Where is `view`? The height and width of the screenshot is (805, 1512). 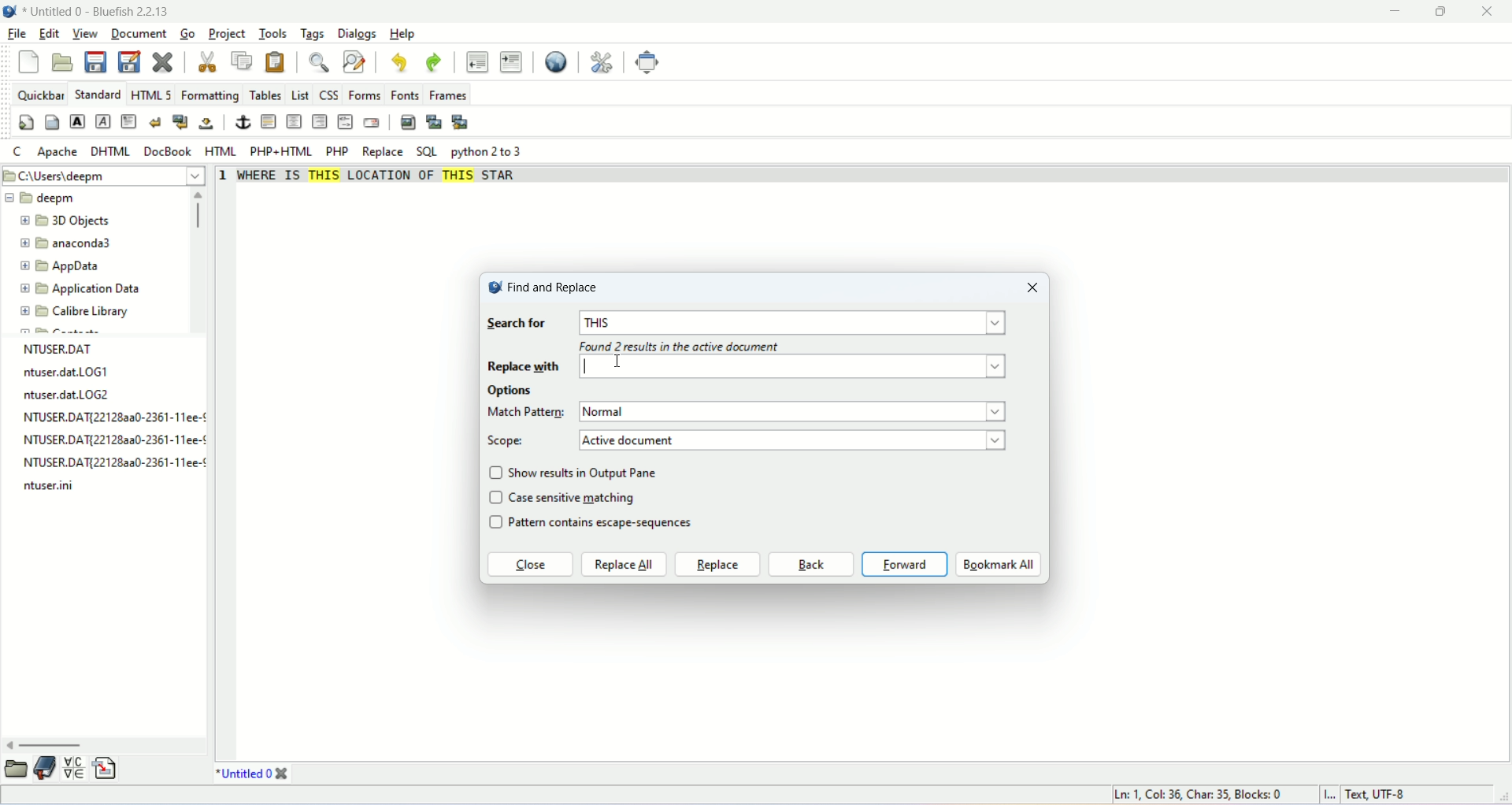
view is located at coordinates (83, 33).